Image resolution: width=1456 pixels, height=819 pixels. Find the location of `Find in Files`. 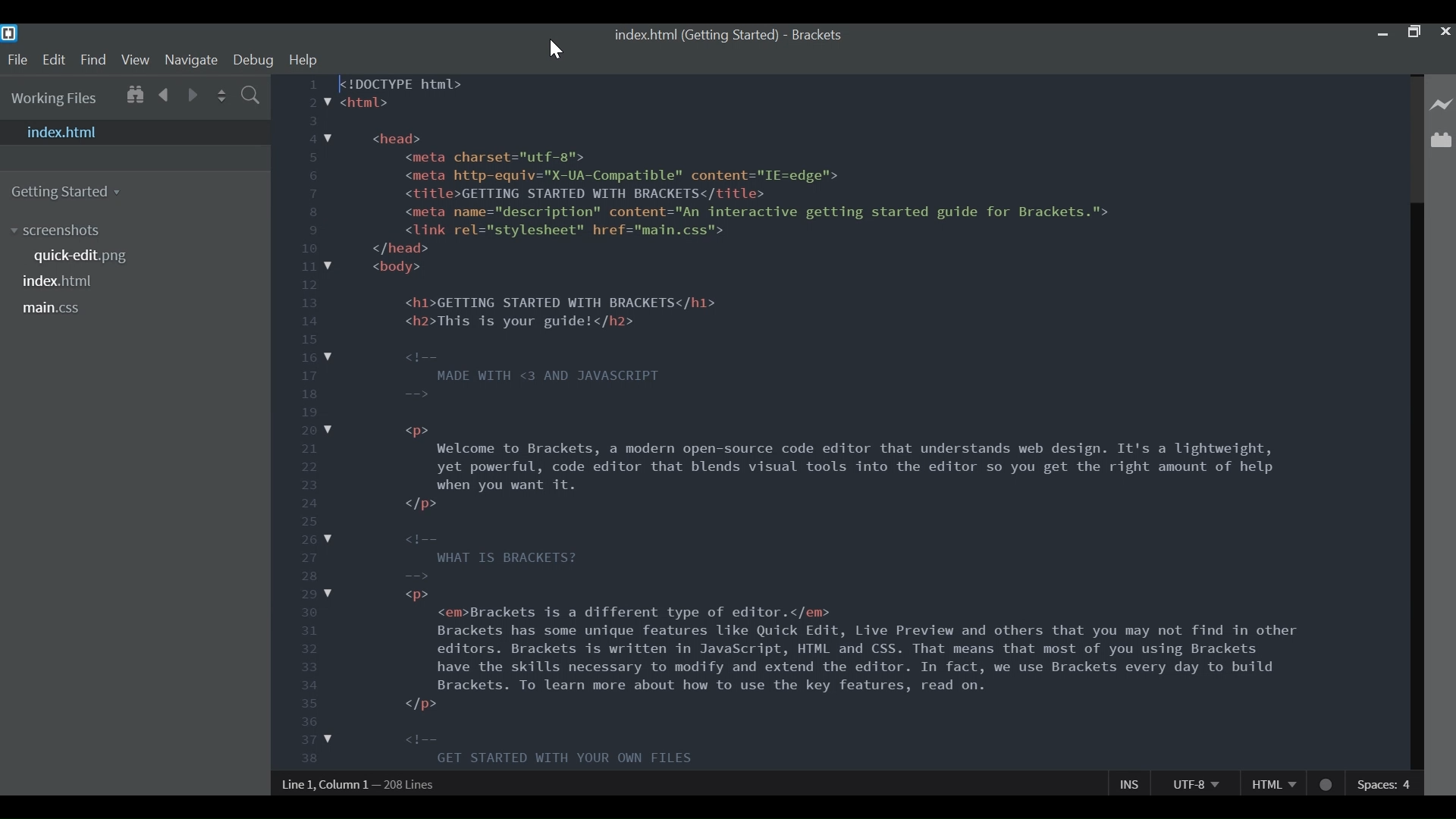

Find in Files is located at coordinates (249, 94).